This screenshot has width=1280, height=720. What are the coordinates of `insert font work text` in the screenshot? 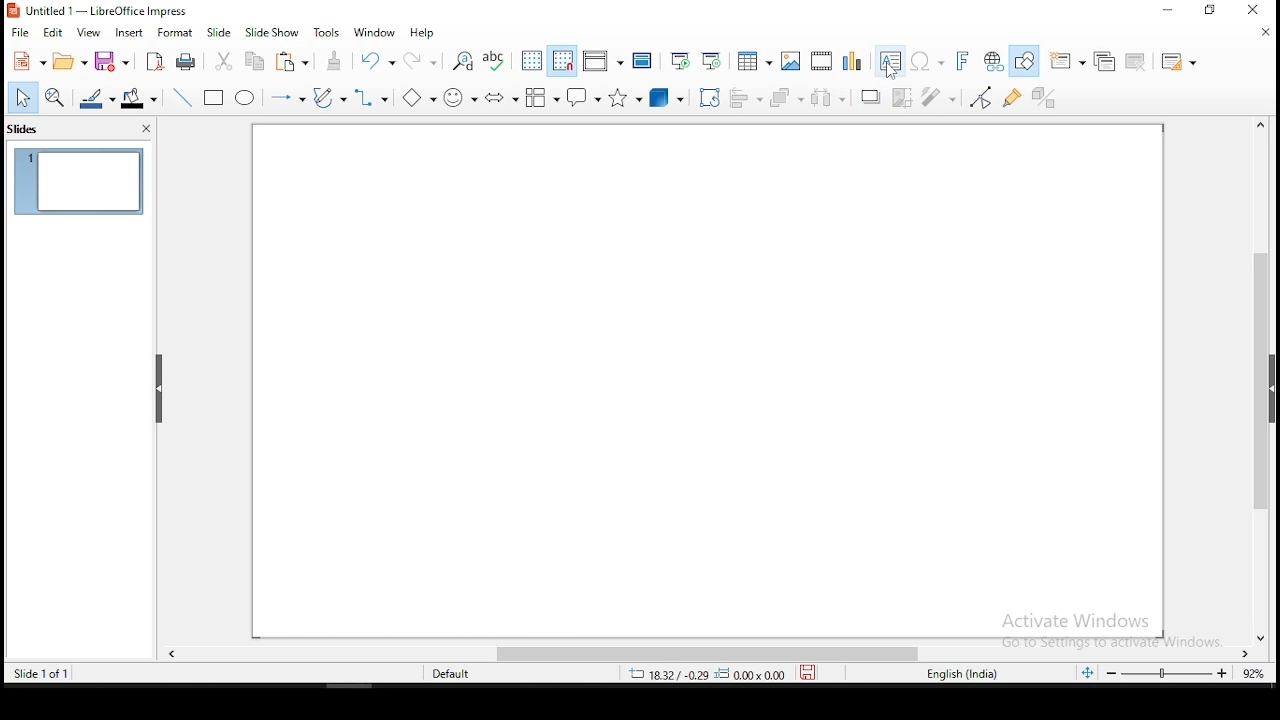 It's located at (963, 61).